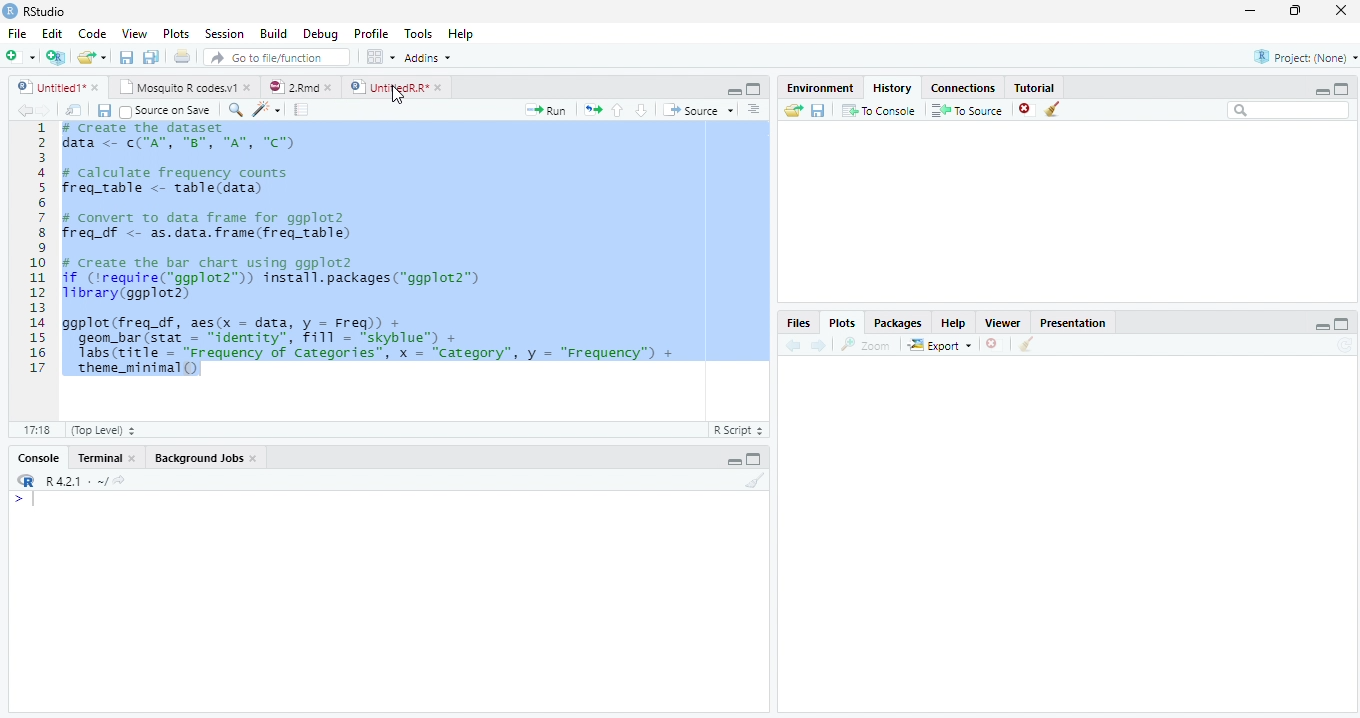  I want to click on UntitledR.R, so click(396, 86).